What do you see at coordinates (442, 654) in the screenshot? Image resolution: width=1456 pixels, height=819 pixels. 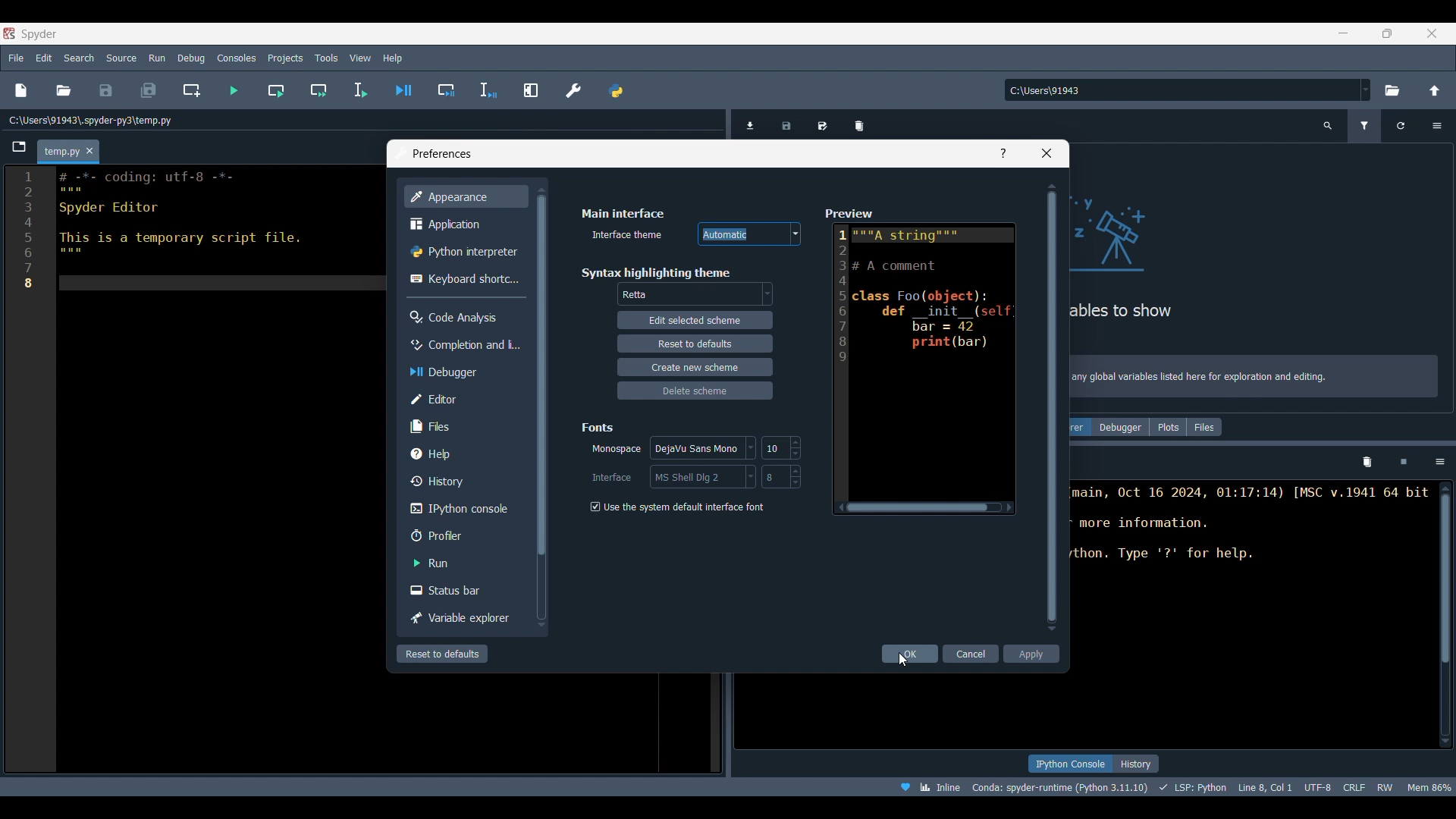 I see `Reset to defaults` at bounding box center [442, 654].